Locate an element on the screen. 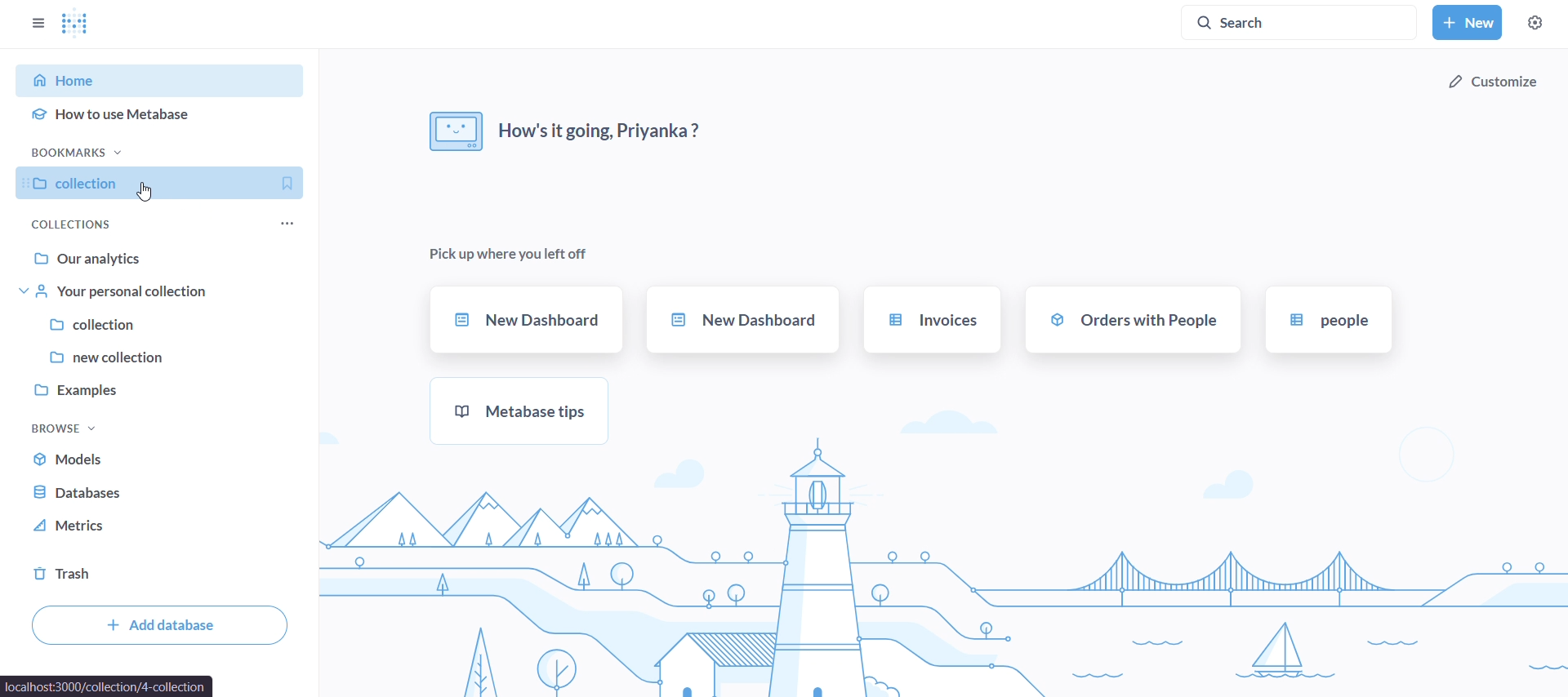 This screenshot has width=1568, height=697. examples is located at coordinates (157, 390).